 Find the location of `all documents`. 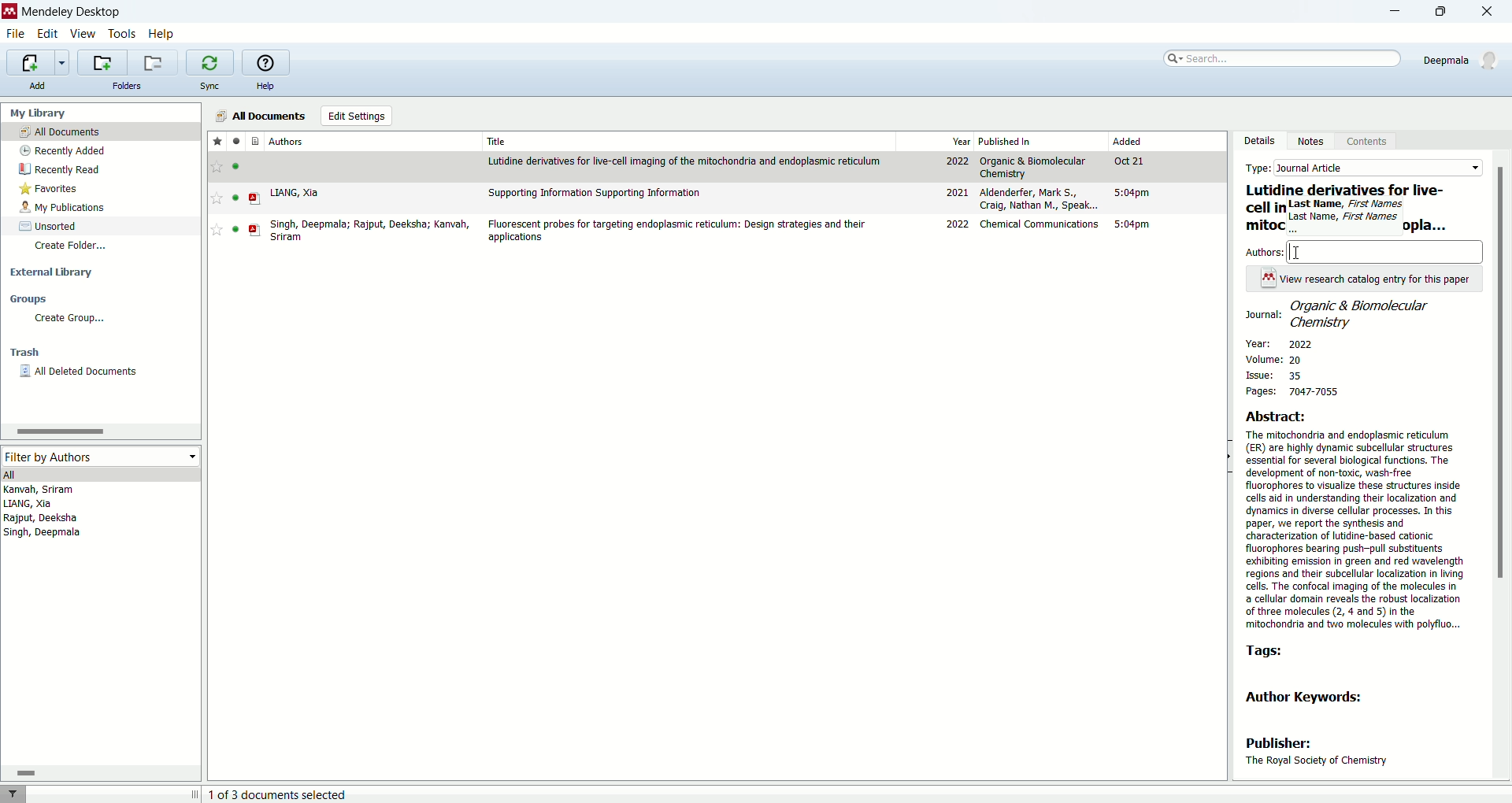

all documents is located at coordinates (103, 133).